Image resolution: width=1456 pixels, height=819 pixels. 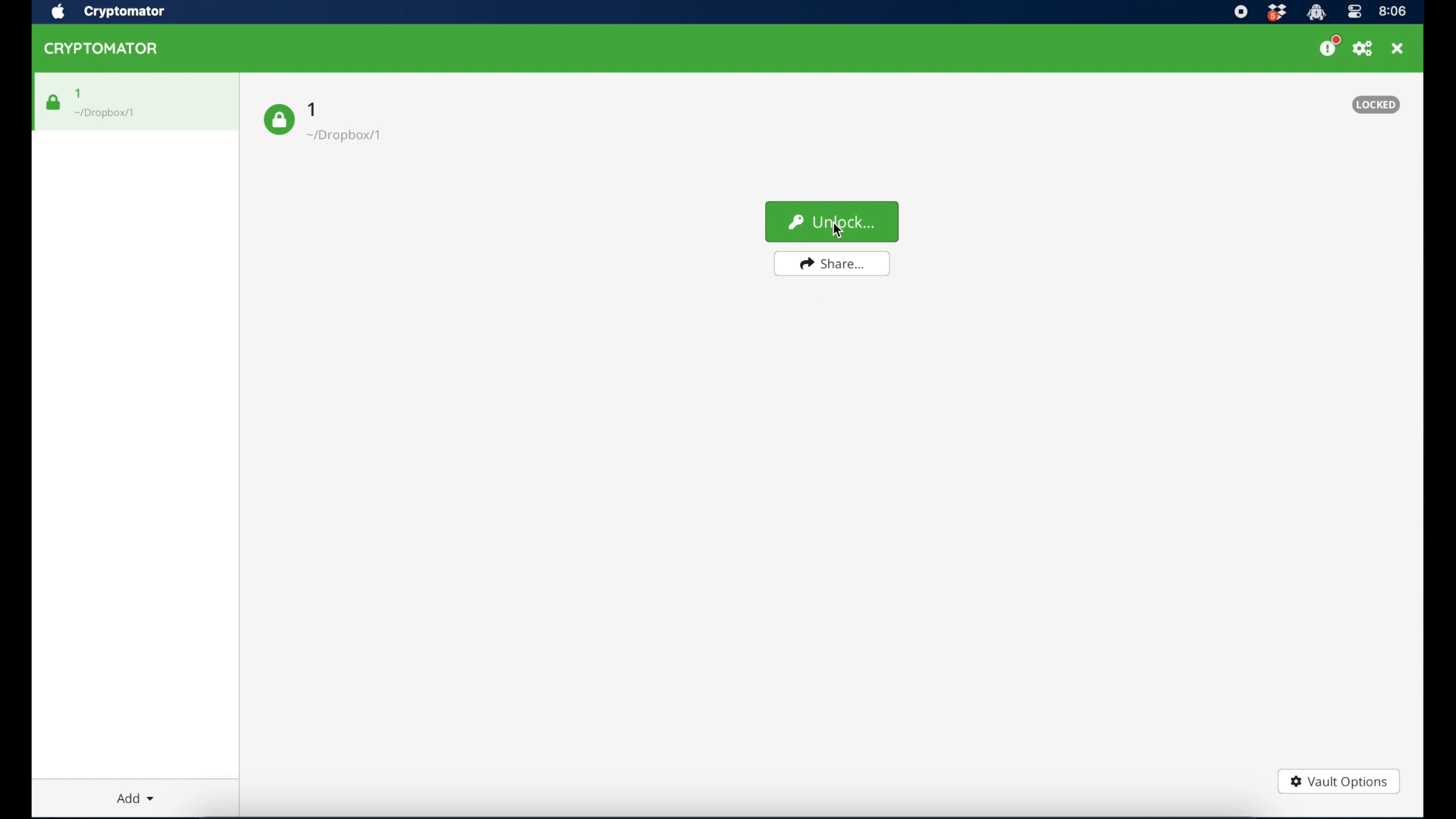 I want to click on dropbox icon, so click(x=1276, y=13).